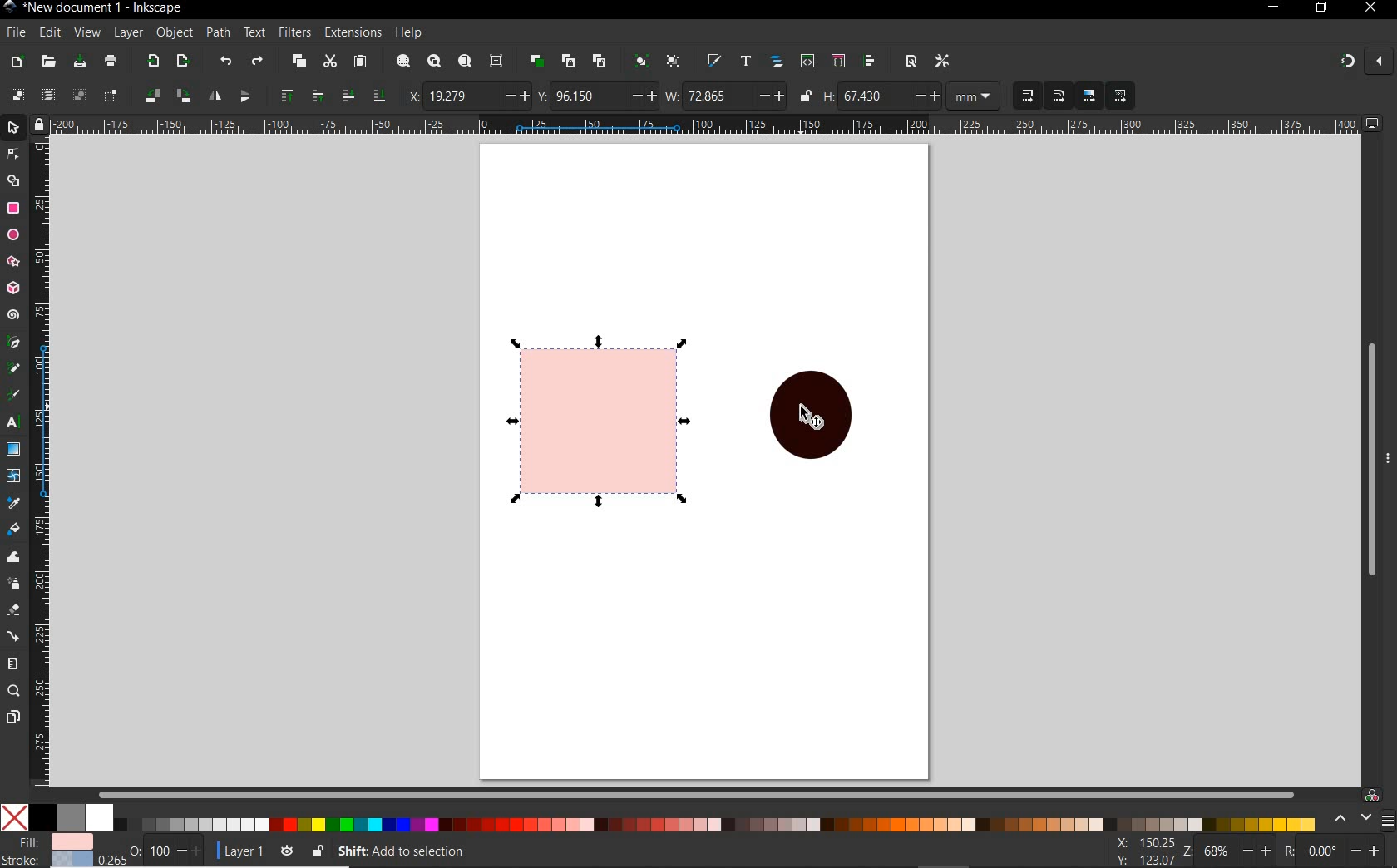  What do you see at coordinates (80, 61) in the screenshot?
I see `save` at bounding box center [80, 61].